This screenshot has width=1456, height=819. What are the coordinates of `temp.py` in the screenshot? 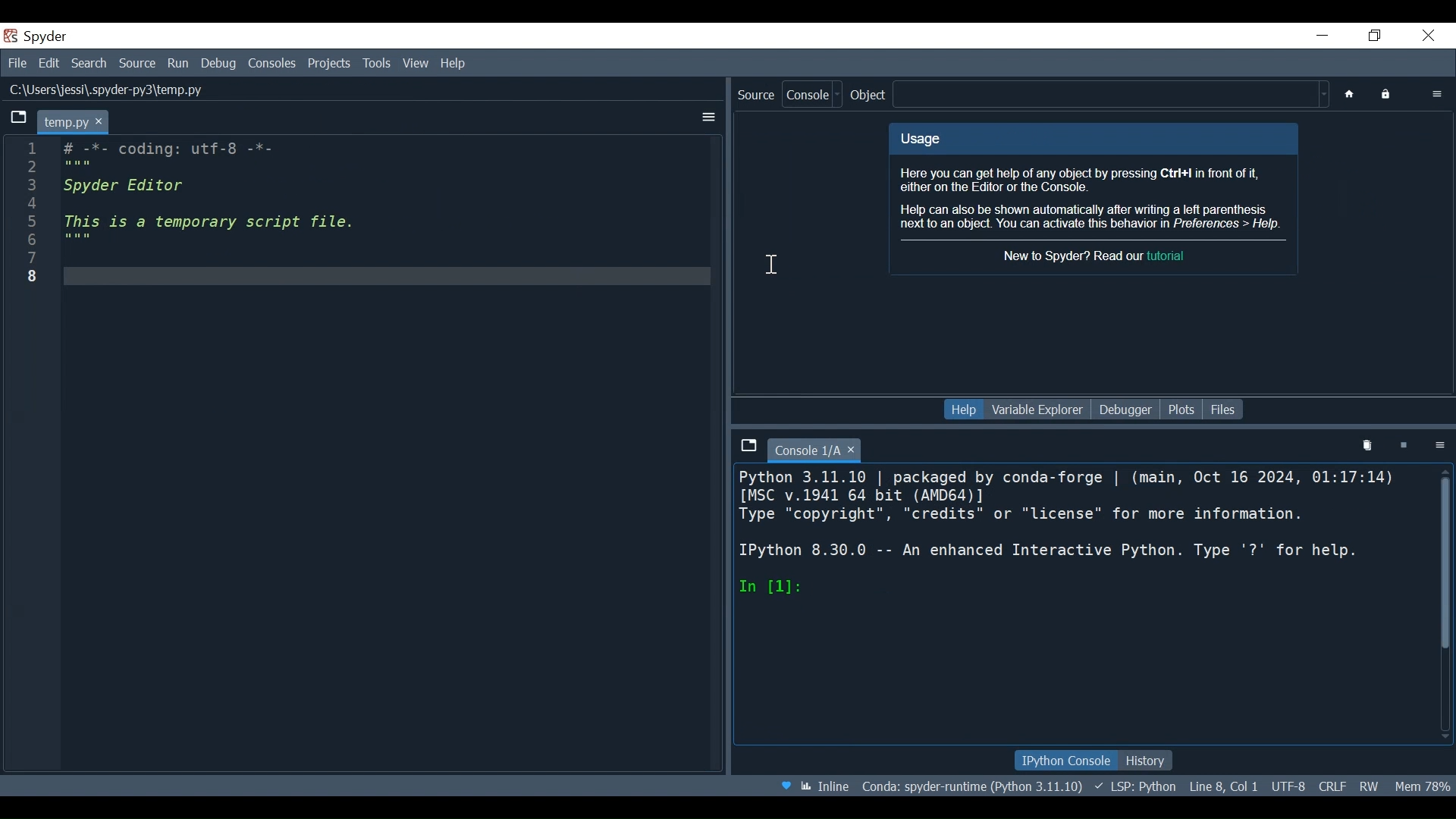 It's located at (77, 121).